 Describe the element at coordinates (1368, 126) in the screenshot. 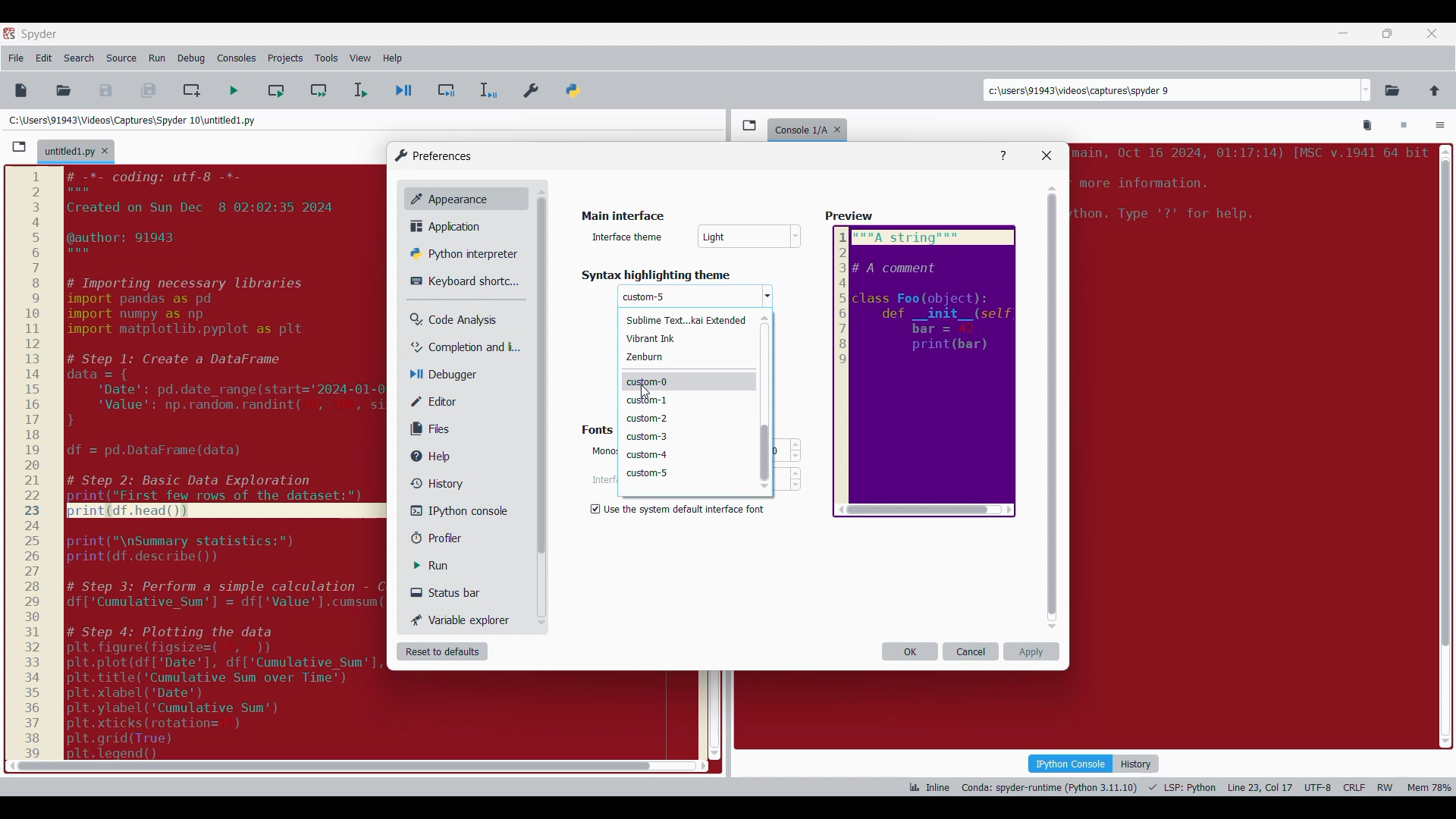

I see `Remove all variables from namespace` at that location.